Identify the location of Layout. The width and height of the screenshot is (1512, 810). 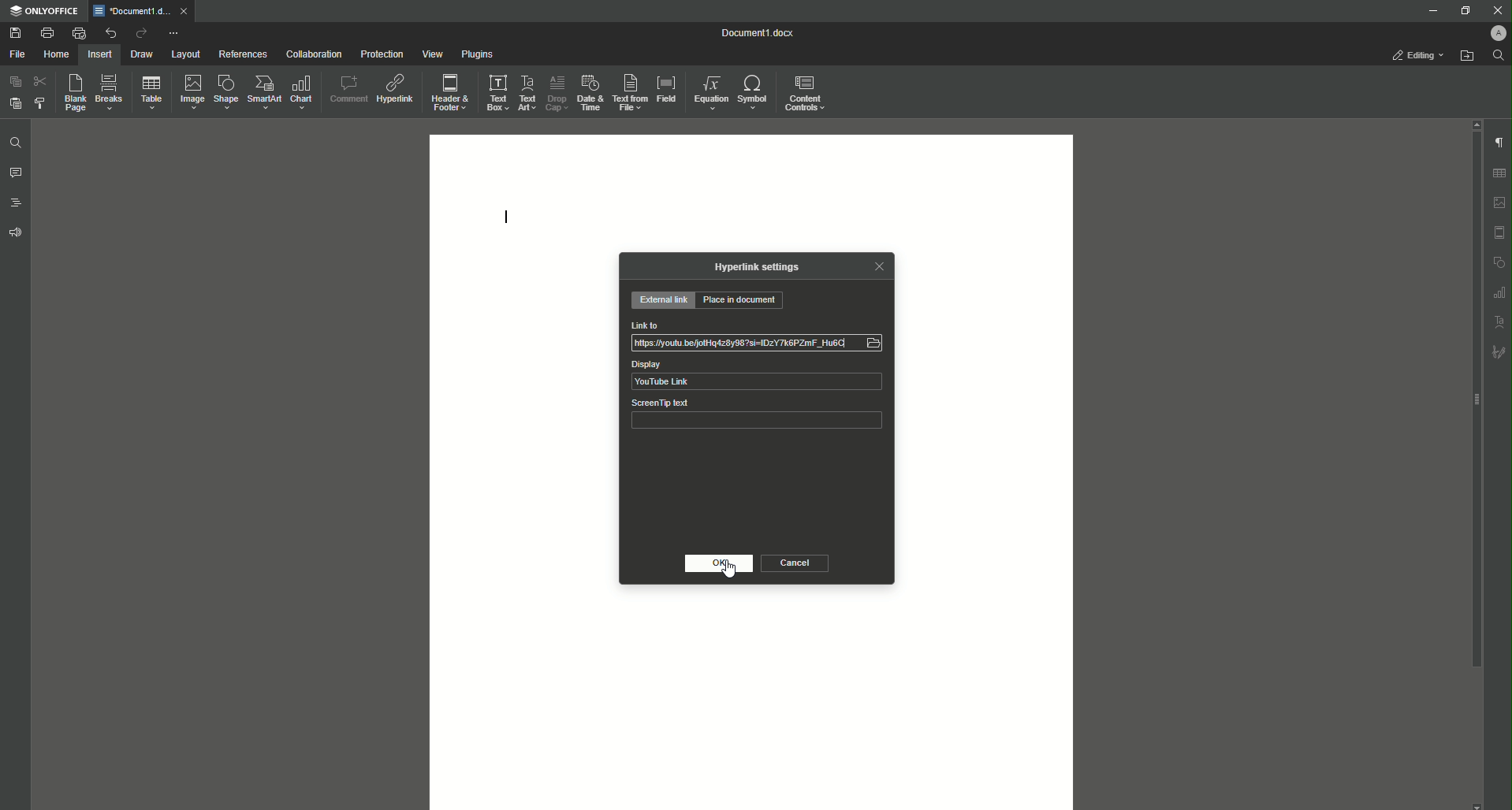
(184, 54).